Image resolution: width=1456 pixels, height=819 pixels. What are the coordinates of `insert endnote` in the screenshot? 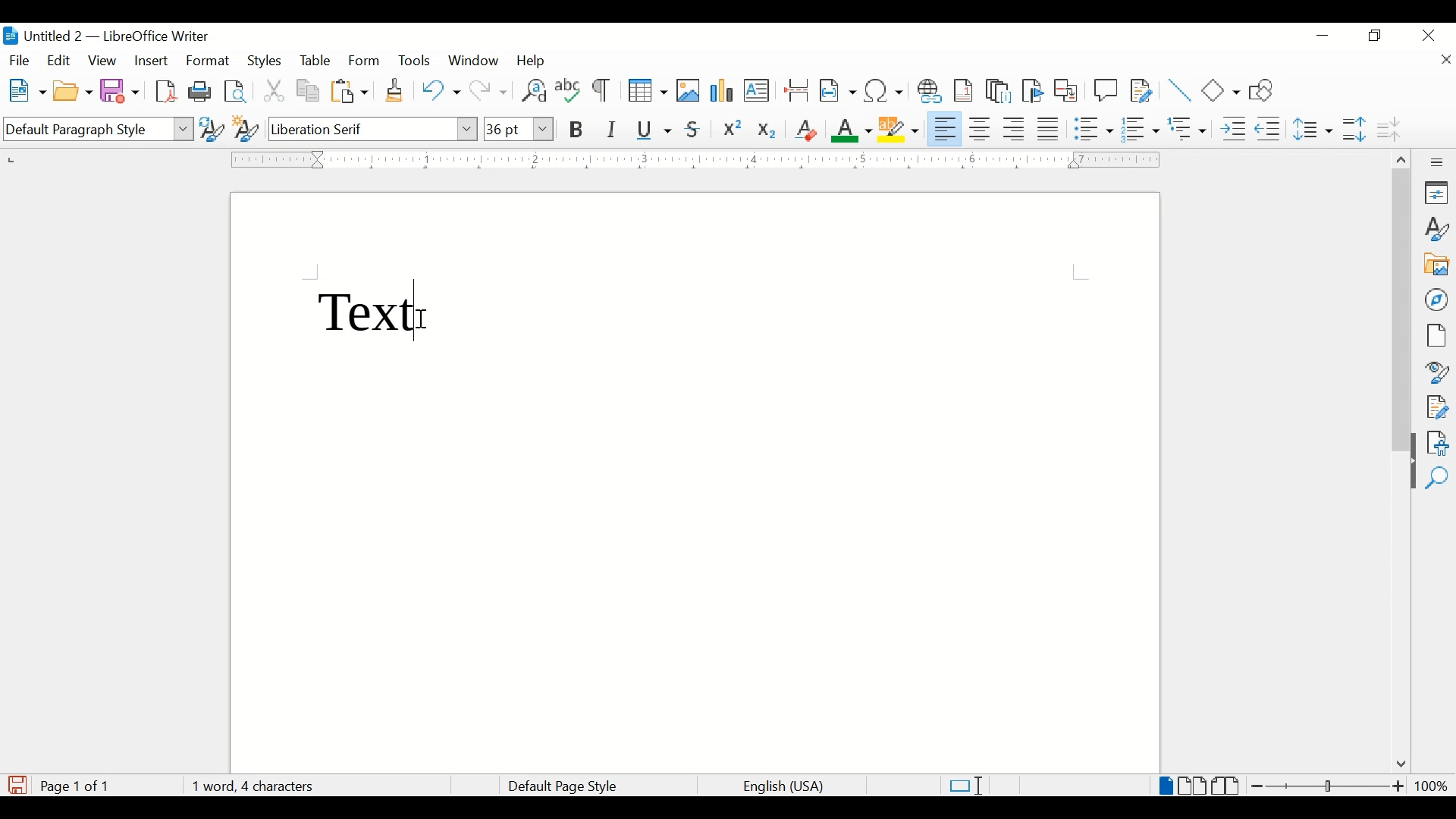 It's located at (999, 91).